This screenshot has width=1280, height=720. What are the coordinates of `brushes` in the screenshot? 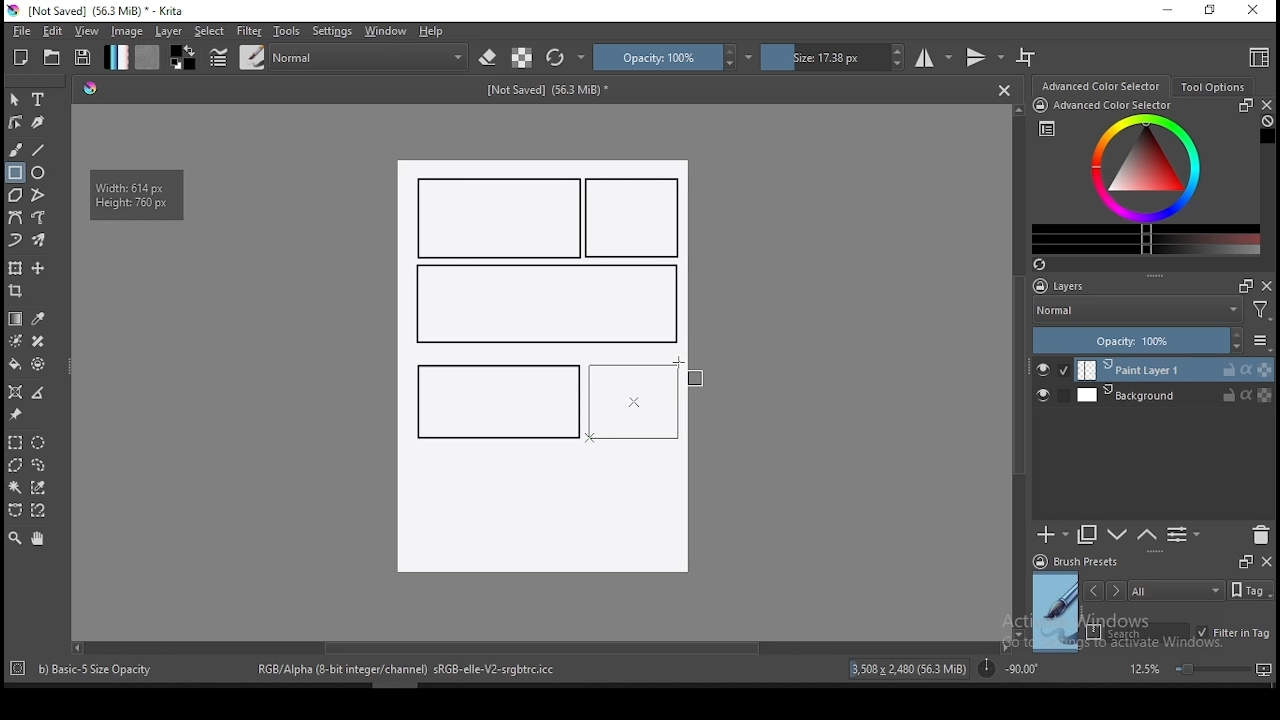 It's located at (252, 57).